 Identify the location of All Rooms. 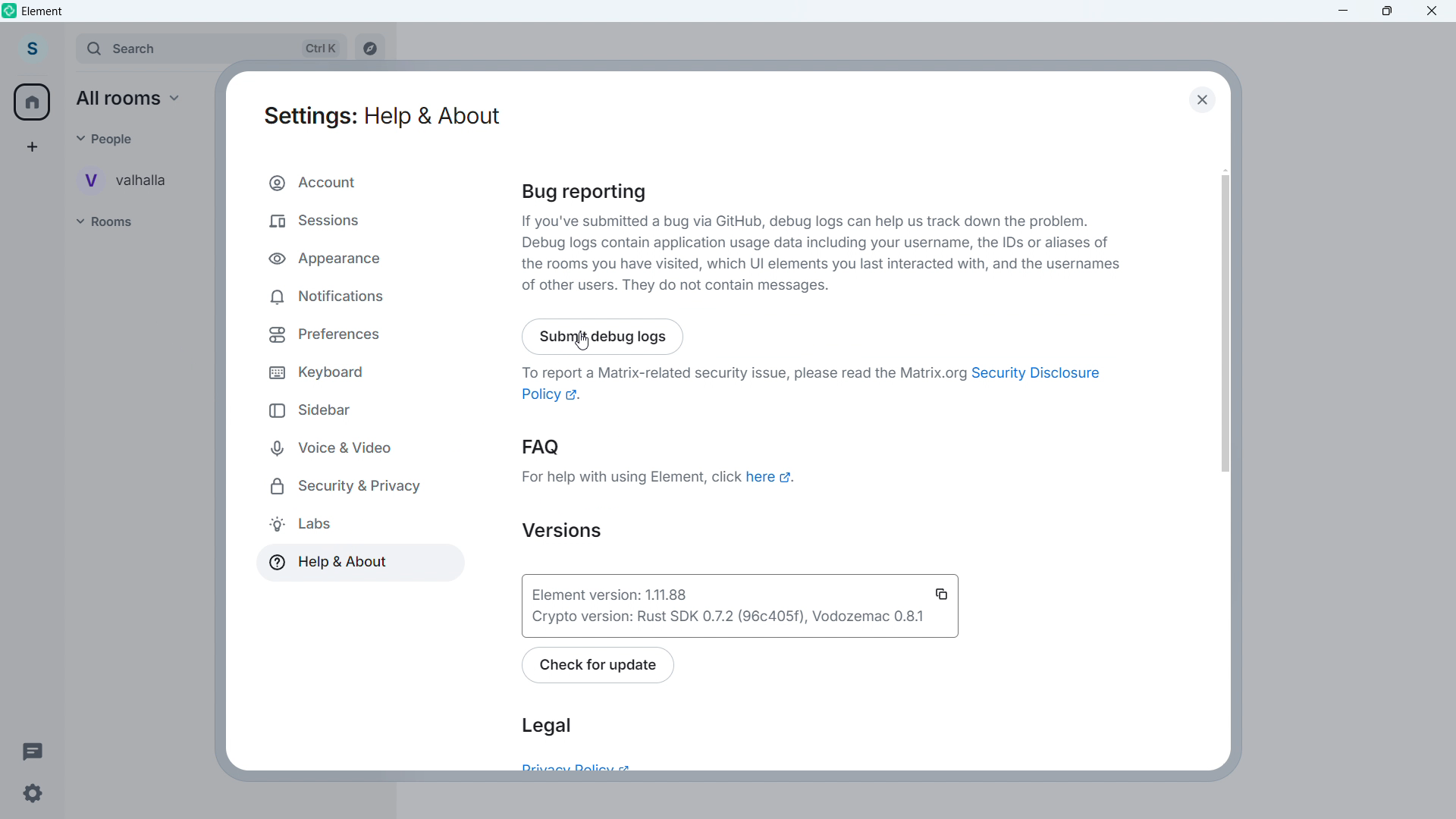
(134, 99).